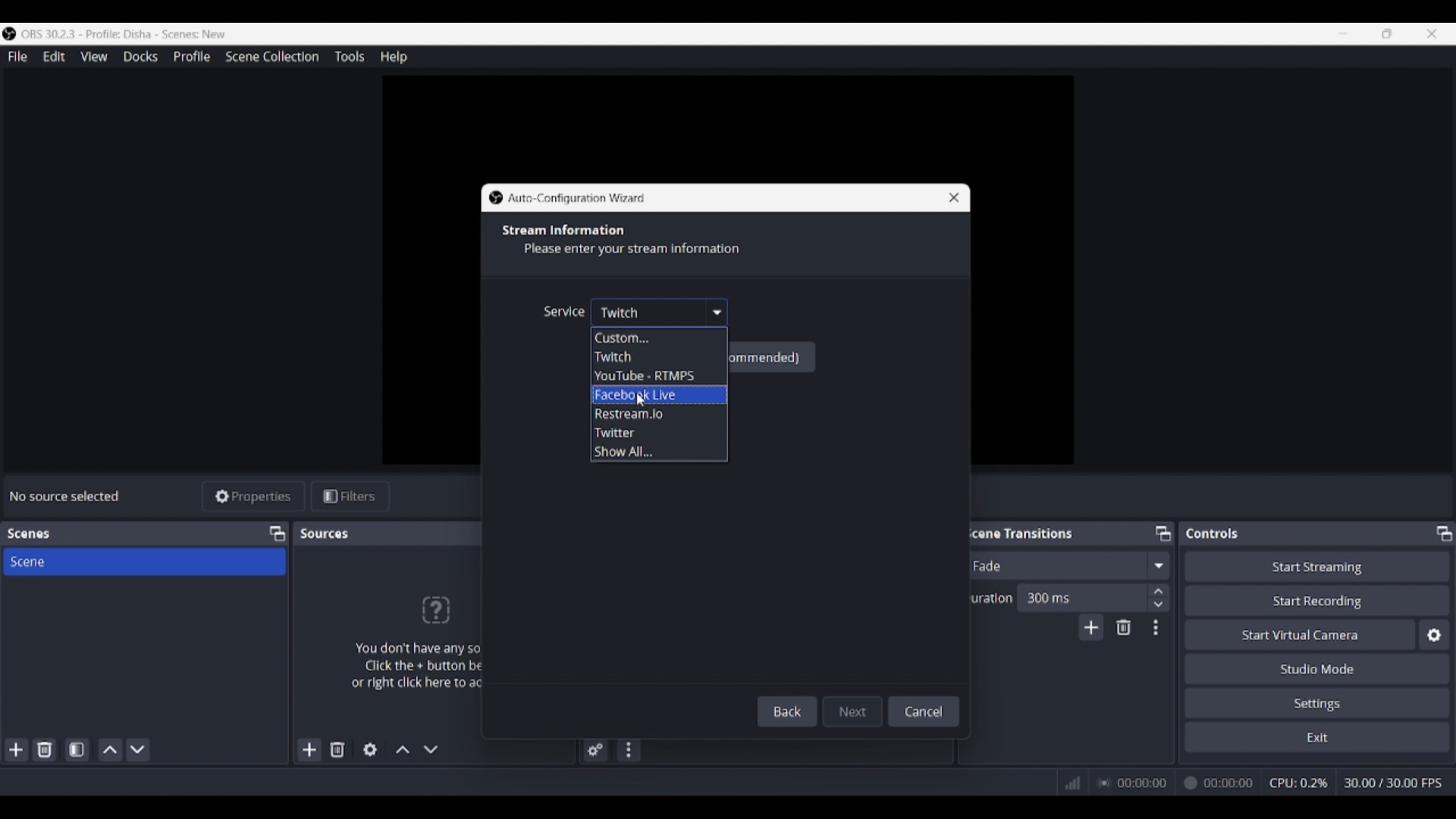 The height and width of the screenshot is (819, 1456). I want to click on Increase/Decrease duration, so click(1159, 597).